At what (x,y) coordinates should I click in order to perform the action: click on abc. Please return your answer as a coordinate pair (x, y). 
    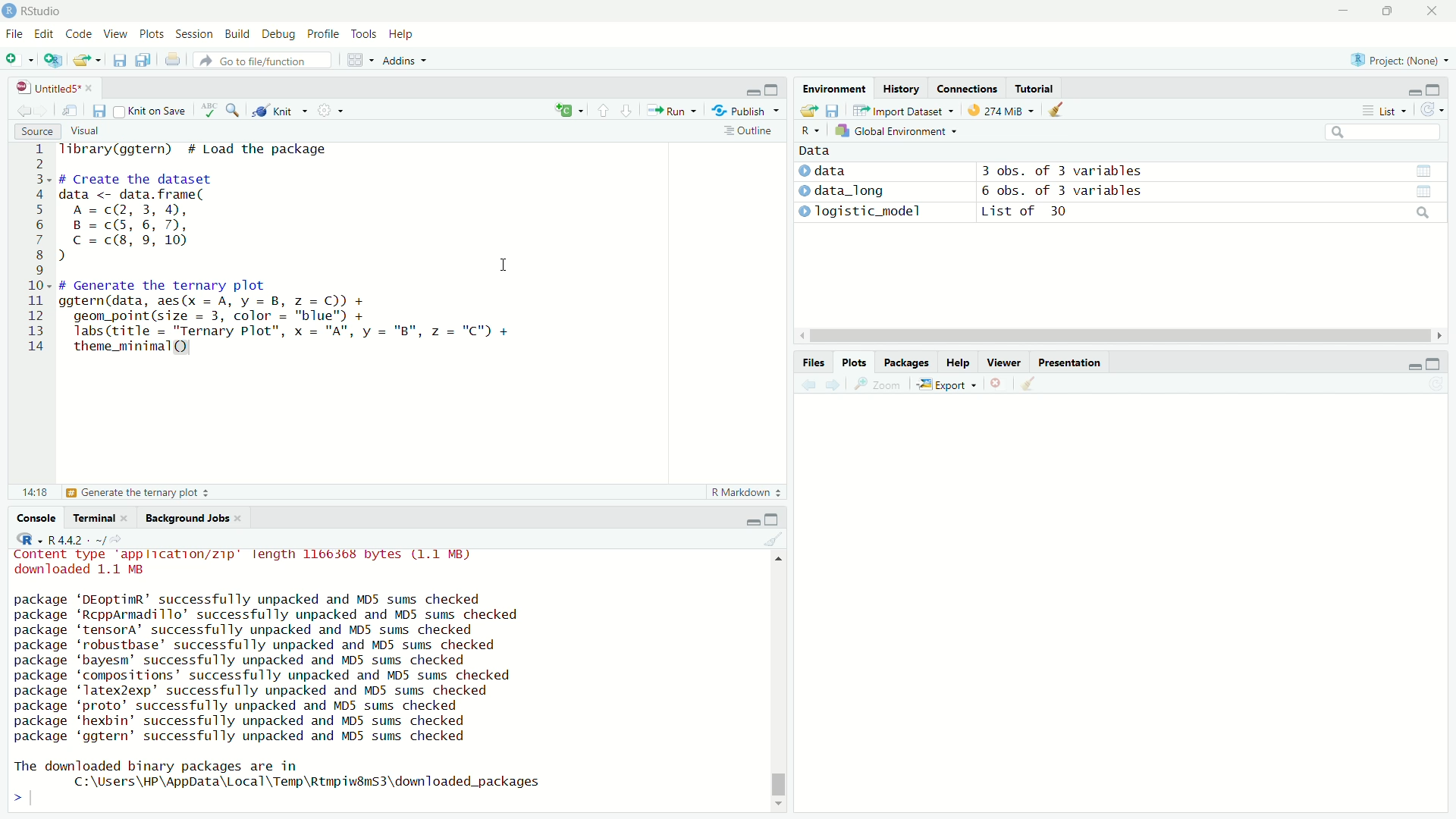
    Looking at the image, I should click on (209, 114).